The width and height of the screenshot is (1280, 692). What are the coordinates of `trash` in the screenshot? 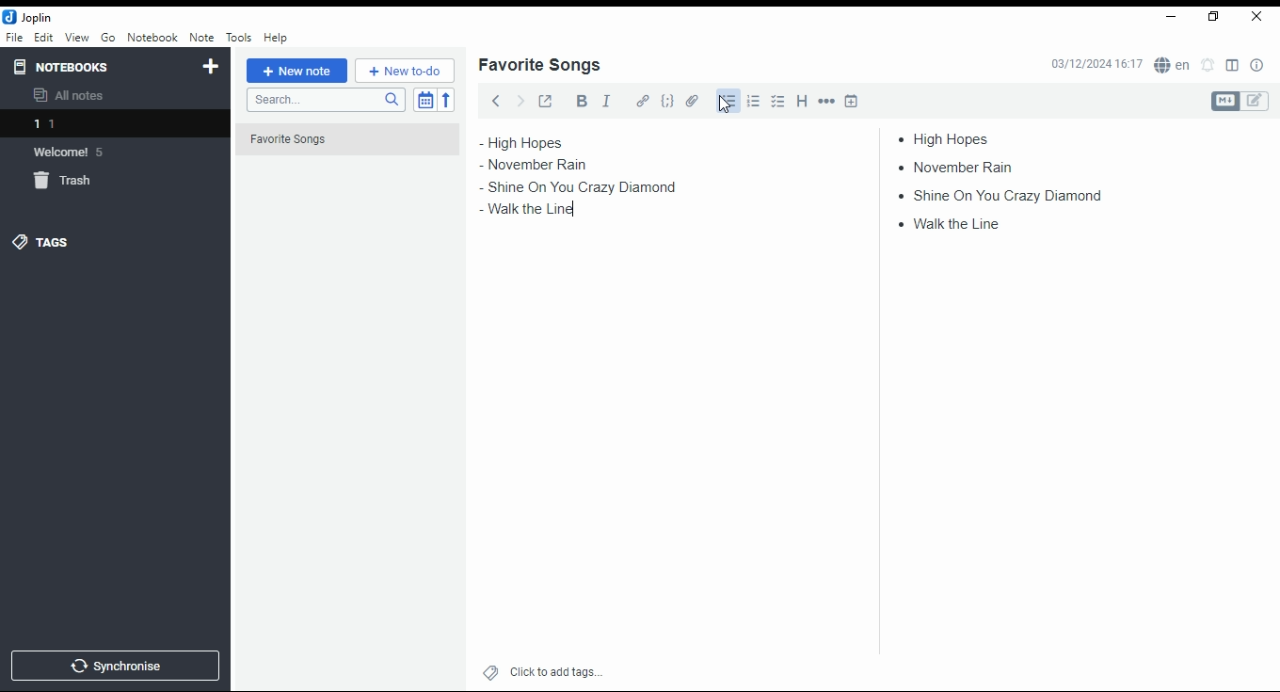 It's located at (74, 184).